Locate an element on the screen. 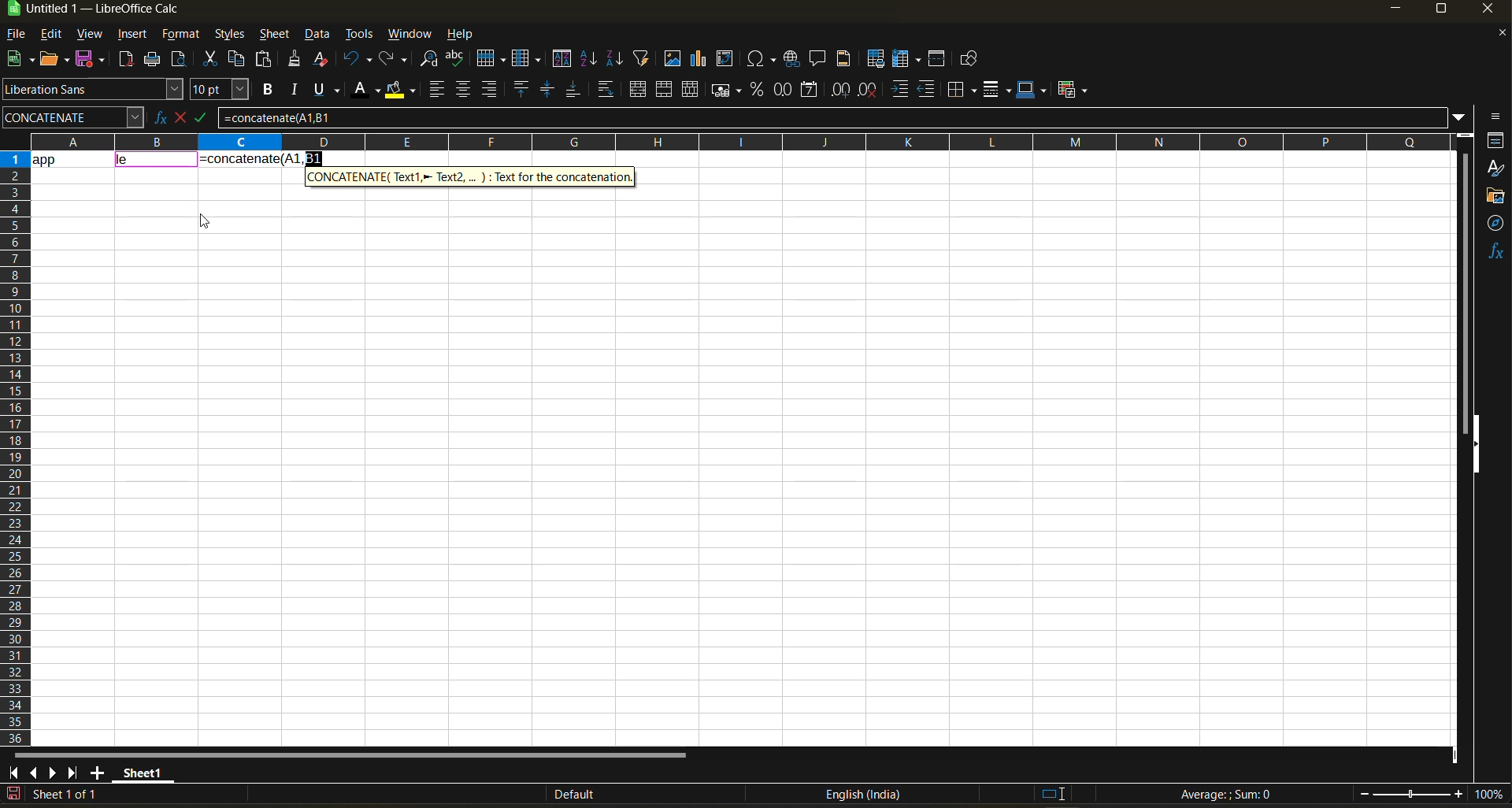  insert chart is located at coordinates (699, 58).